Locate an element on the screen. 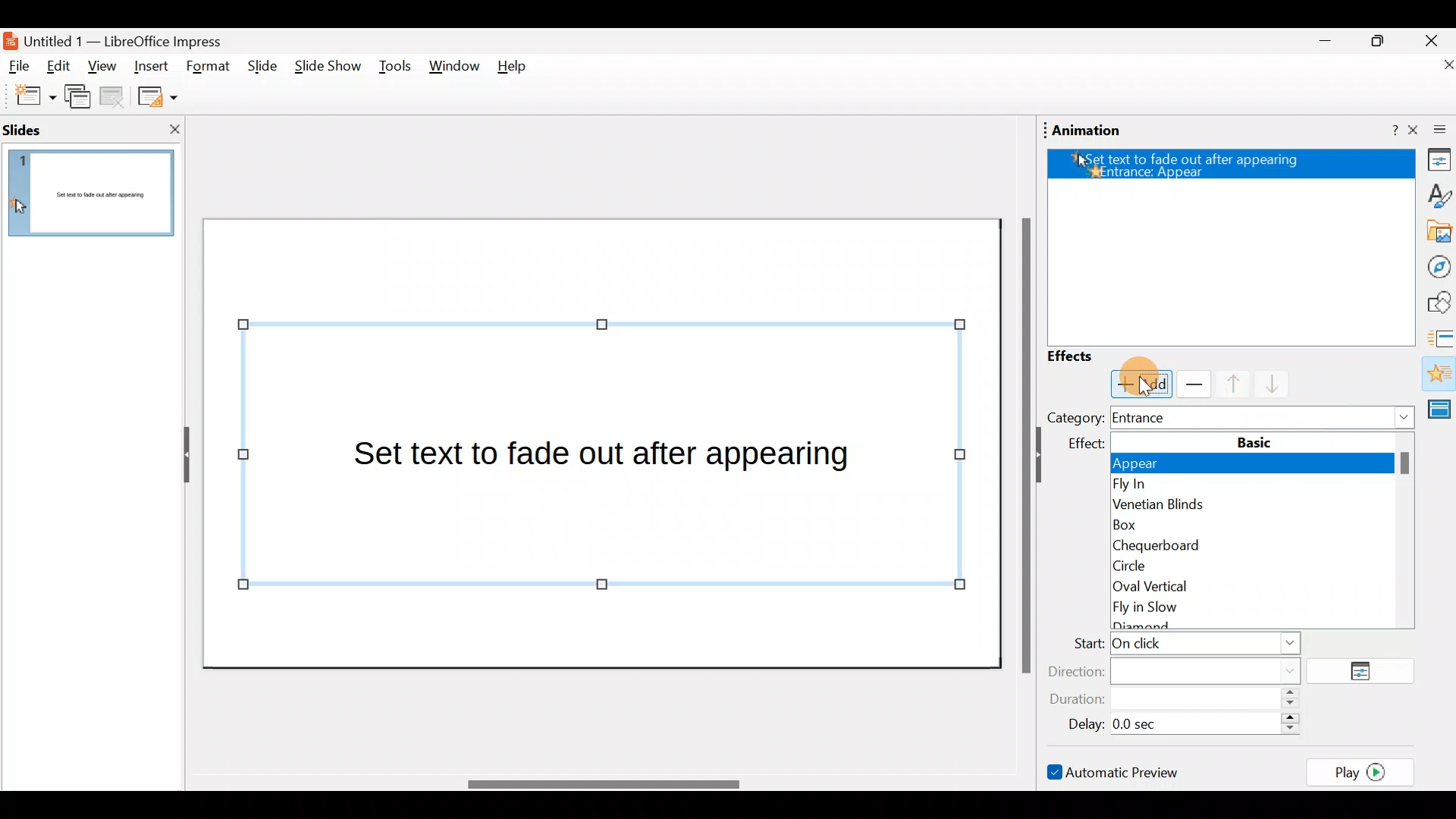  Options is located at coordinates (1367, 672).